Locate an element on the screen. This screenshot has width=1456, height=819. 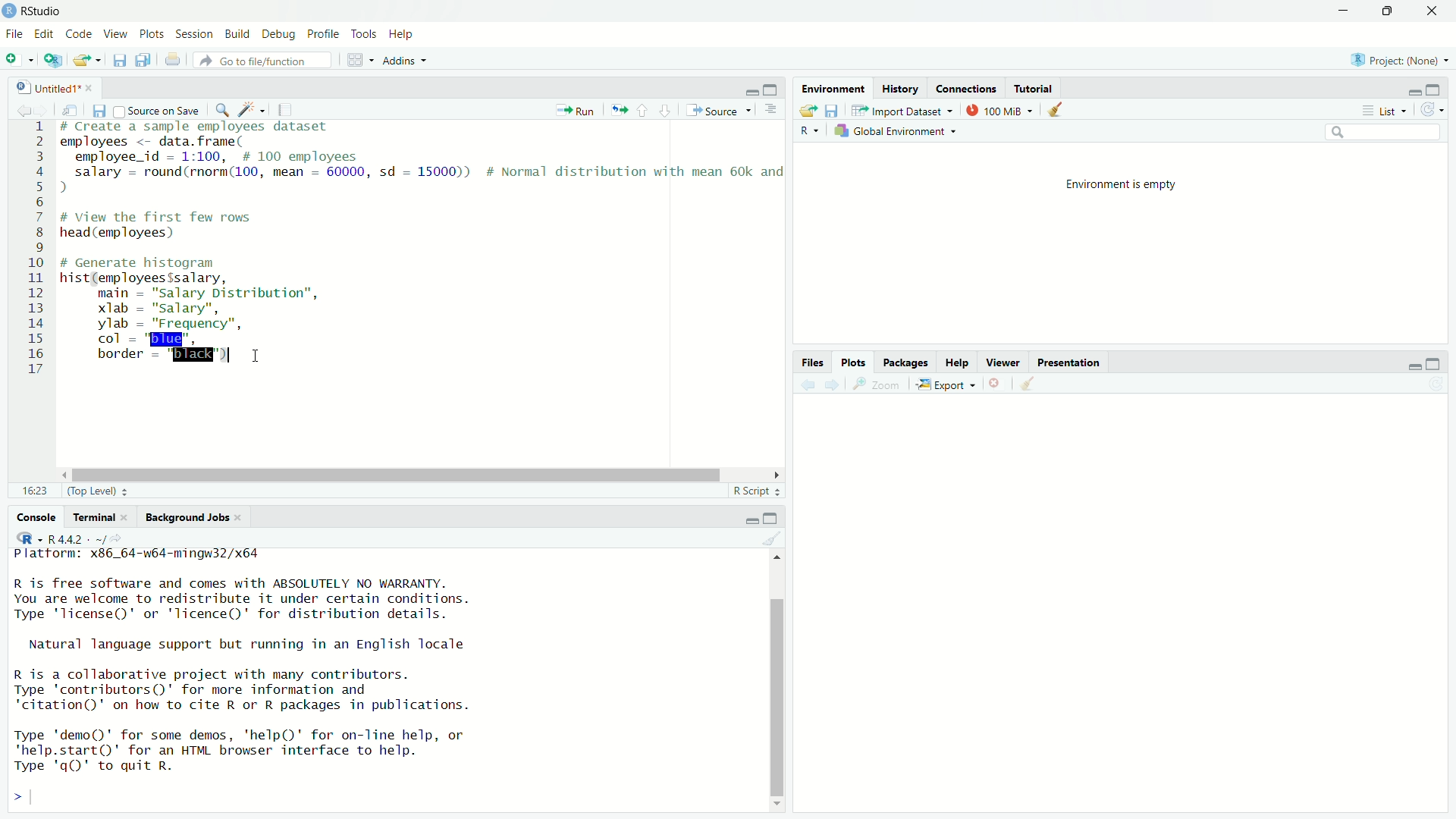
Source on save is located at coordinates (158, 111).